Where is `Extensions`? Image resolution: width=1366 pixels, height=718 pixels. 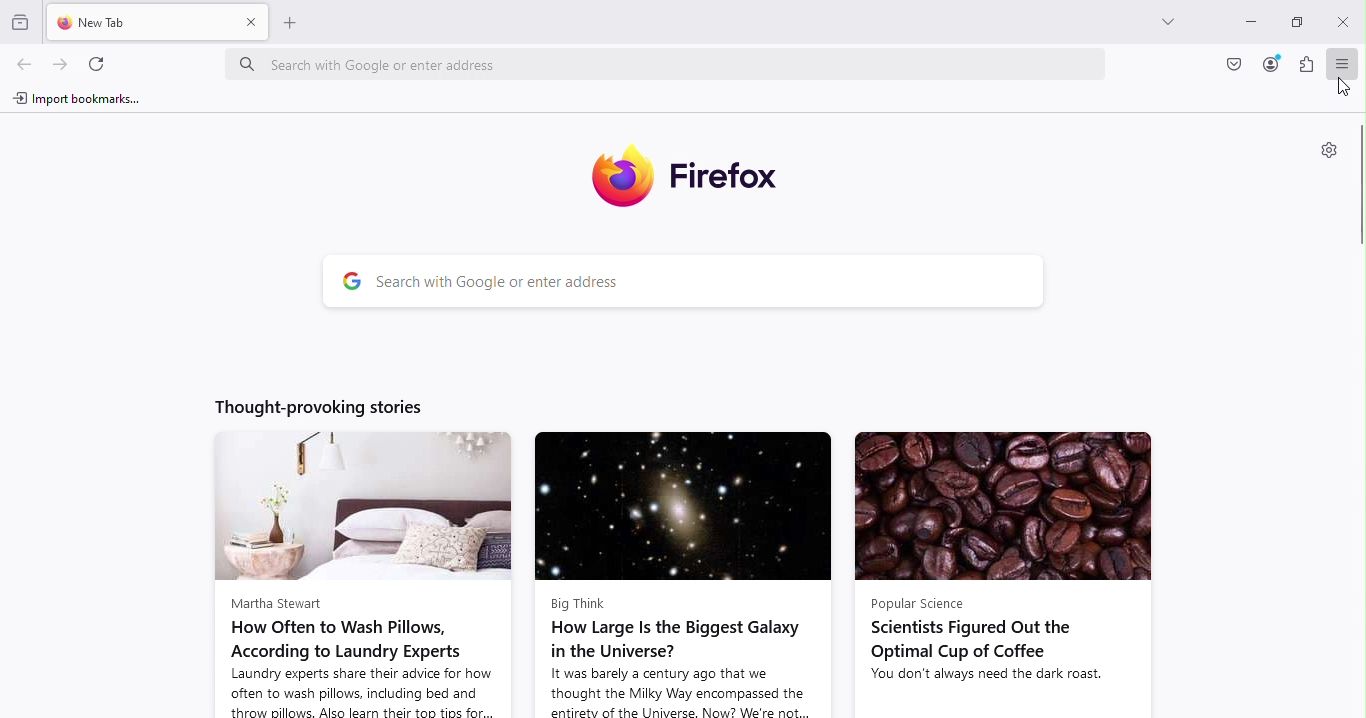 Extensions is located at coordinates (1306, 67).